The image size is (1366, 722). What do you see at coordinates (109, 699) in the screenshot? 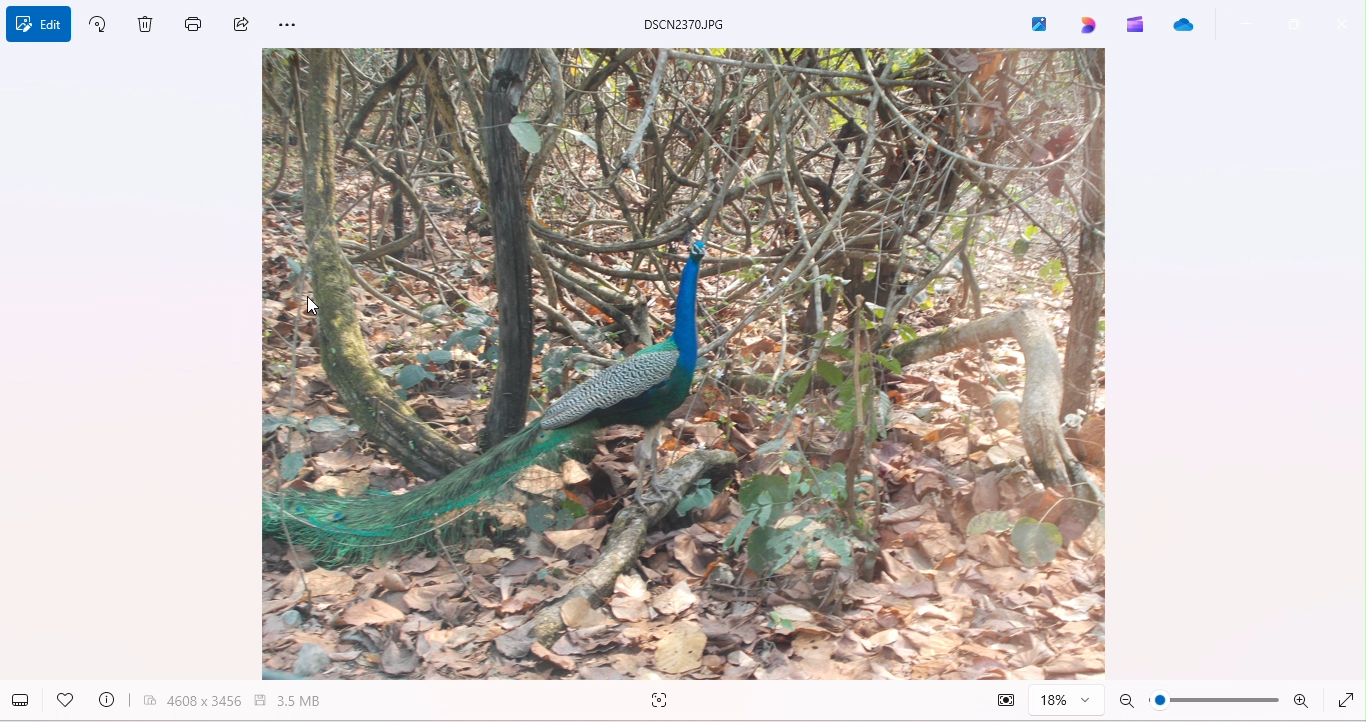
I see `file info` at bounding box center [109, 699].